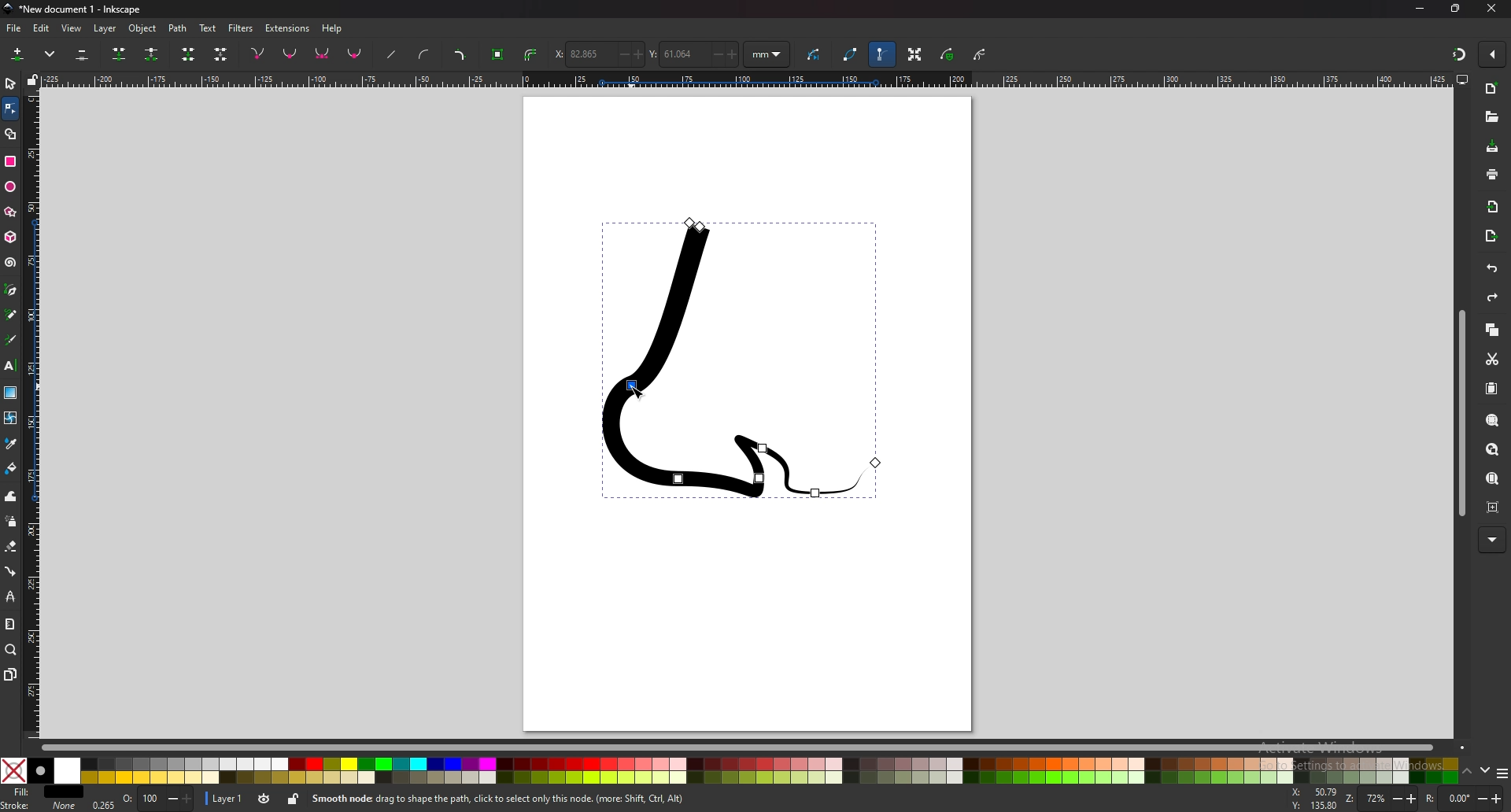  What do you see at coordinates (738, 748) in the screenshot?
I see `scroll bar` at bounding box center [738, 748].